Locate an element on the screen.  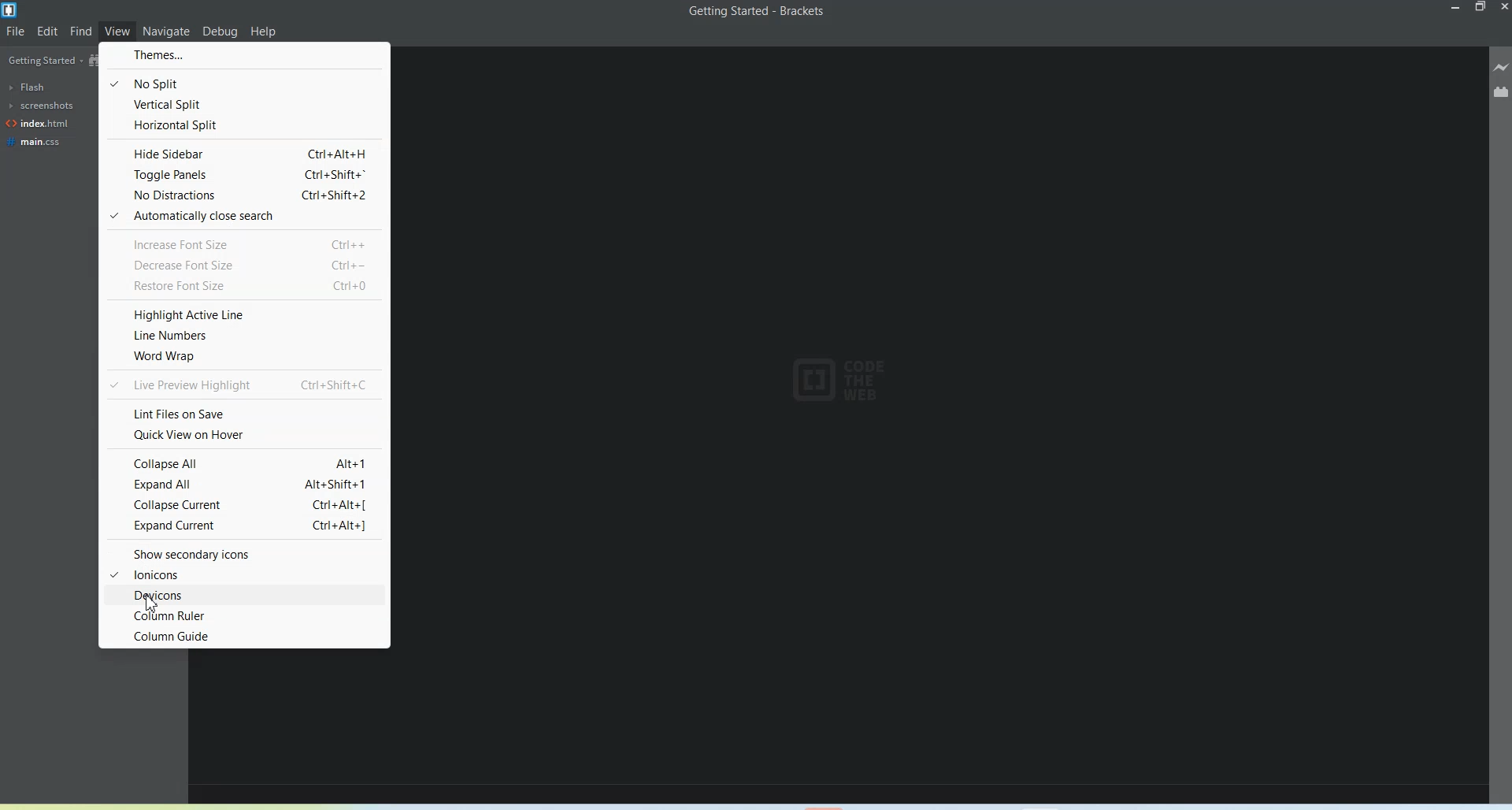
Decrease Font size is located at coordinates (243, 264).